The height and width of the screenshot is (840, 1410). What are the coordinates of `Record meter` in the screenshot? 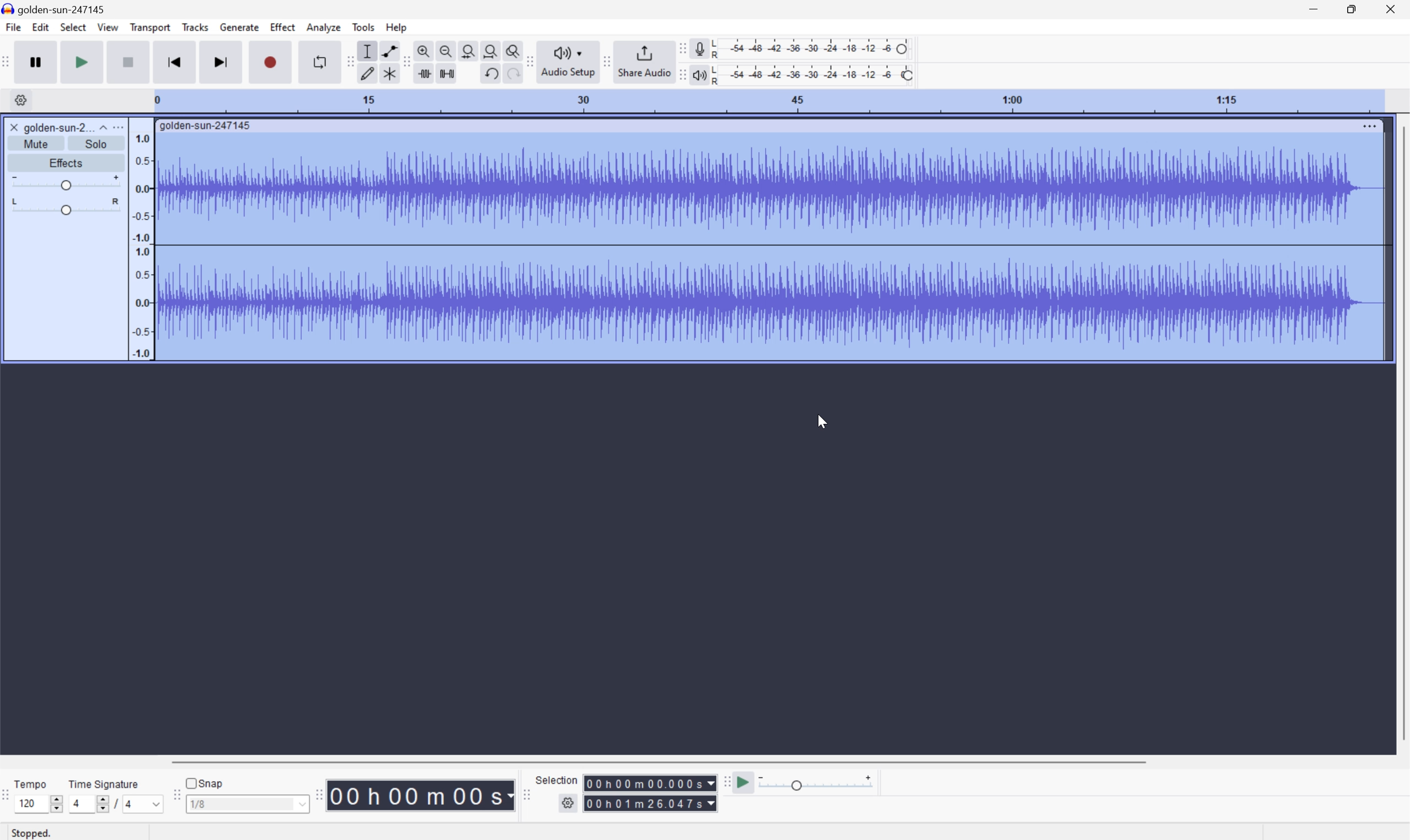 It's located at (699, 48).